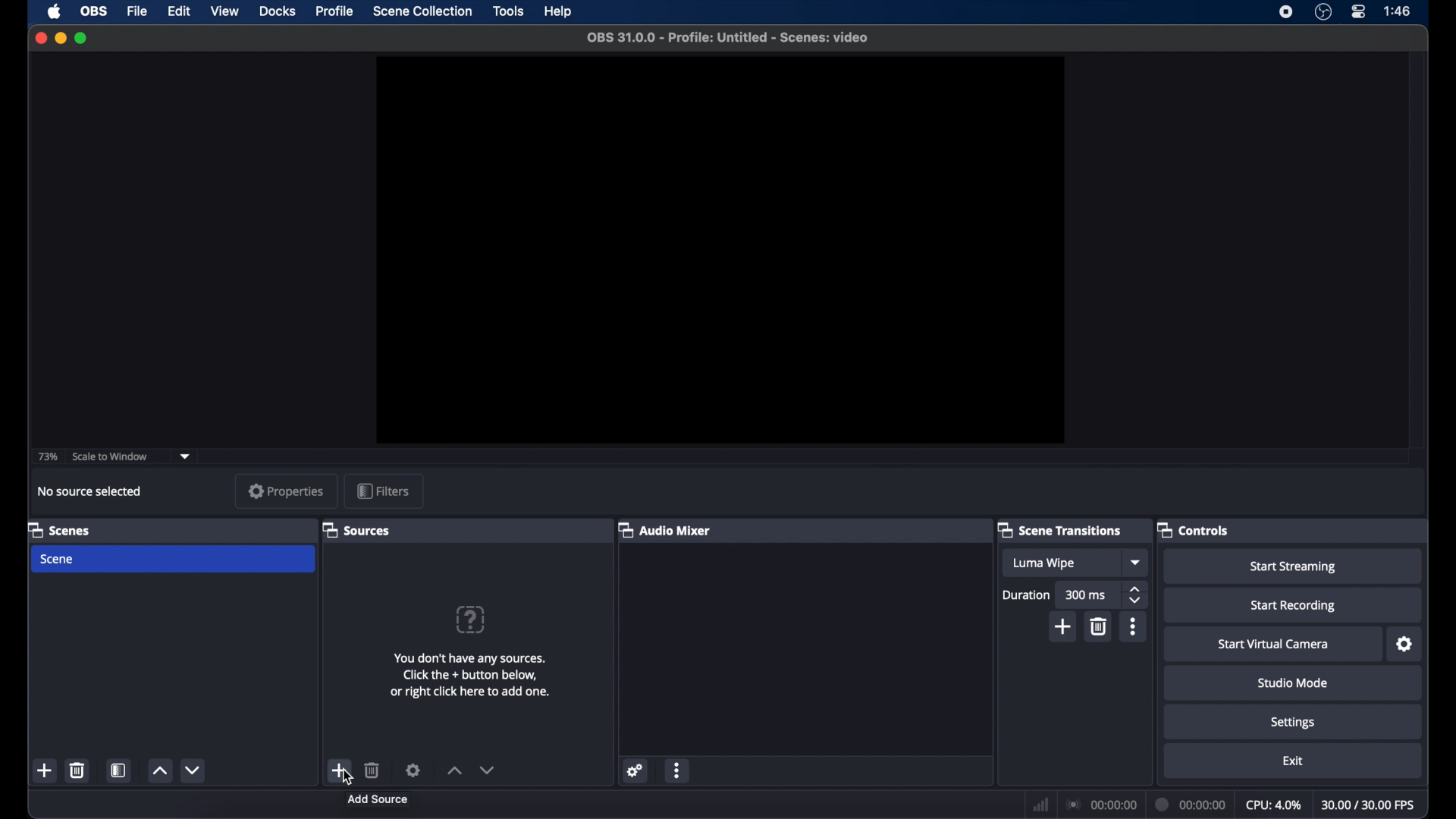 This screenshot has height=819, width=1456. Describe the element at coordinates (279, 11) in the screenshot. I see `docks` at that location.